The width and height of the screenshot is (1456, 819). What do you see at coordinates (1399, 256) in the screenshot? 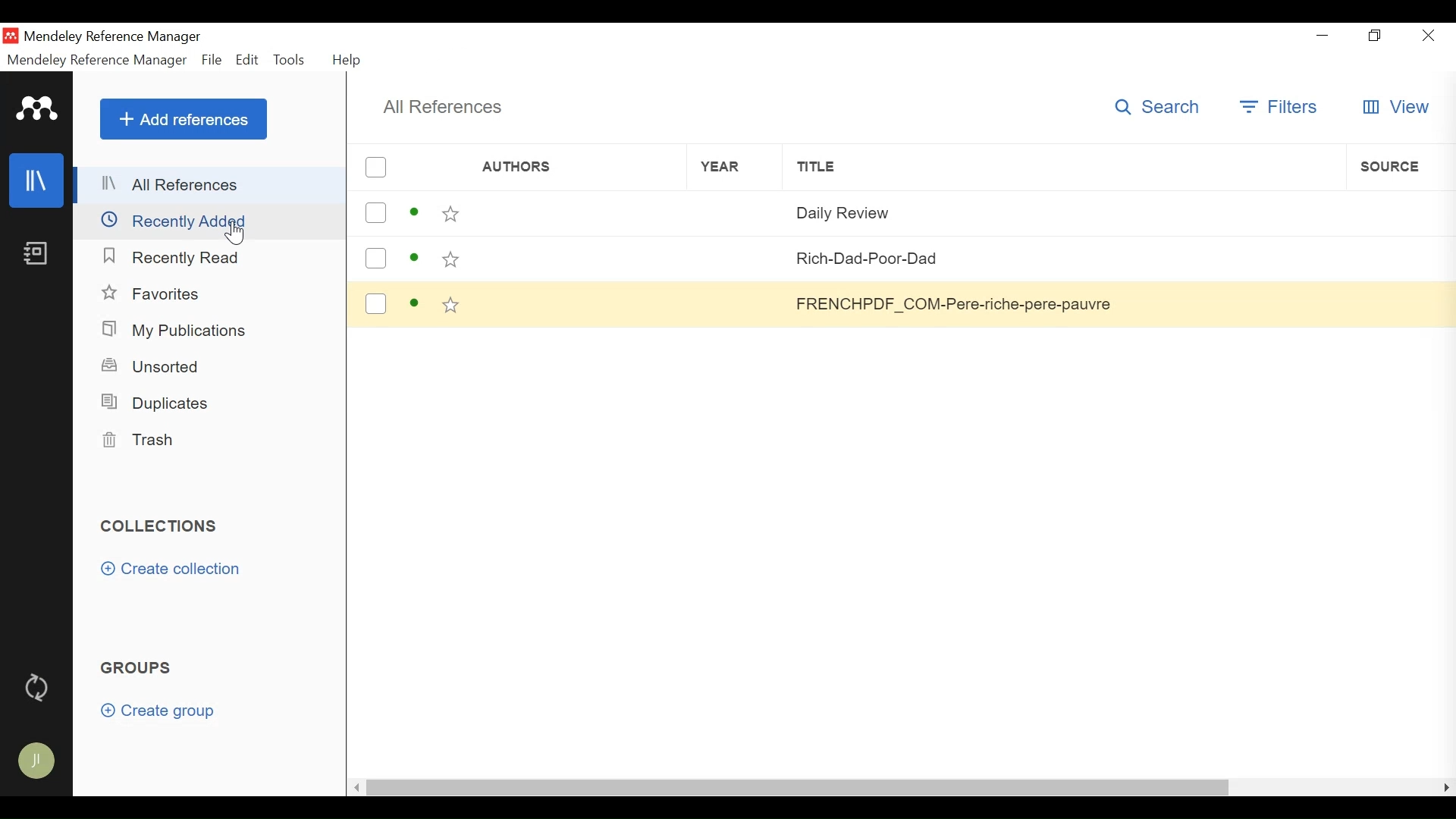
I see `Source` at bounding box center [1399, 256].